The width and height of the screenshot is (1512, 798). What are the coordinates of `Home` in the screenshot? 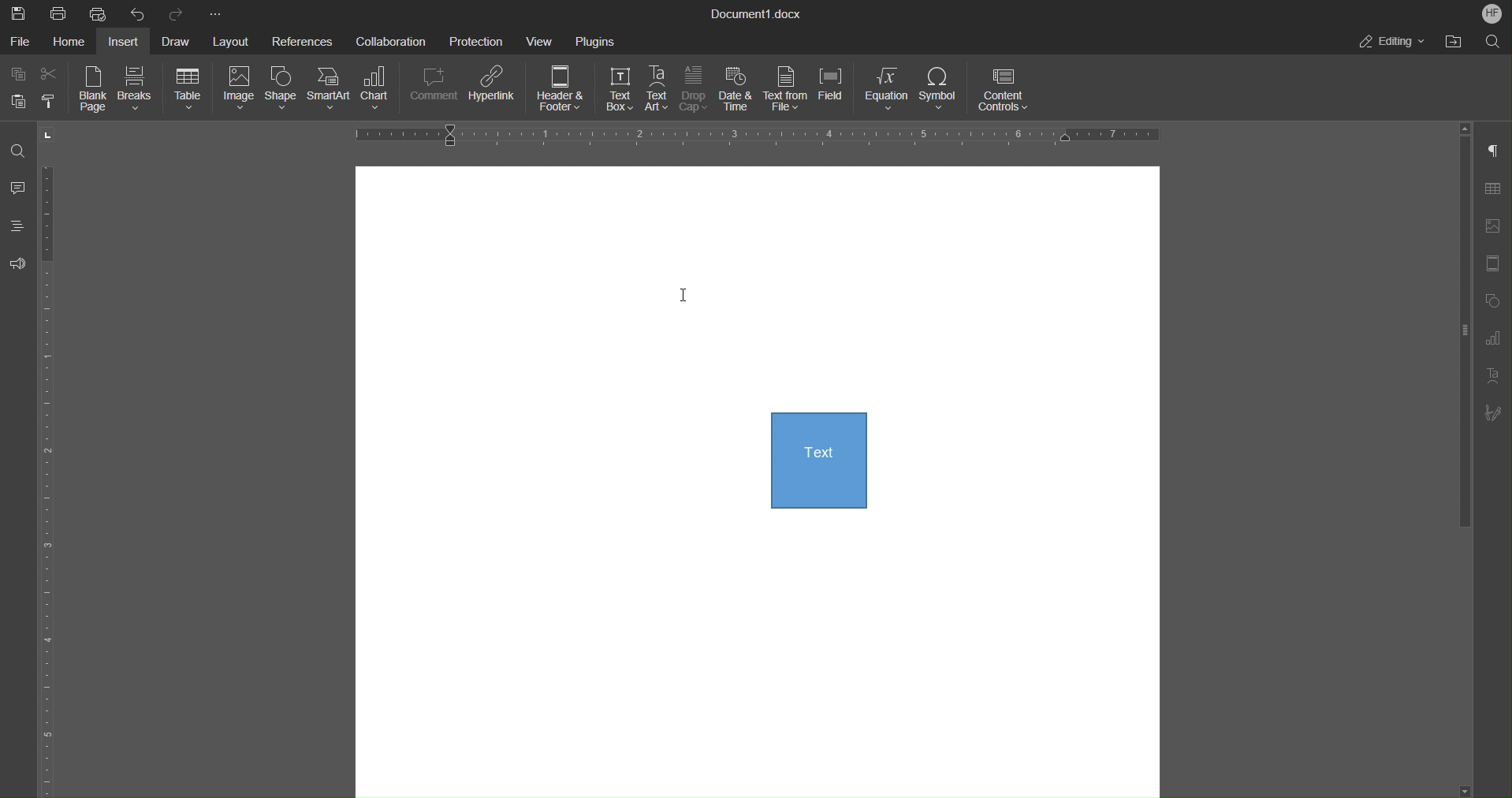 It's located at (73, 42).